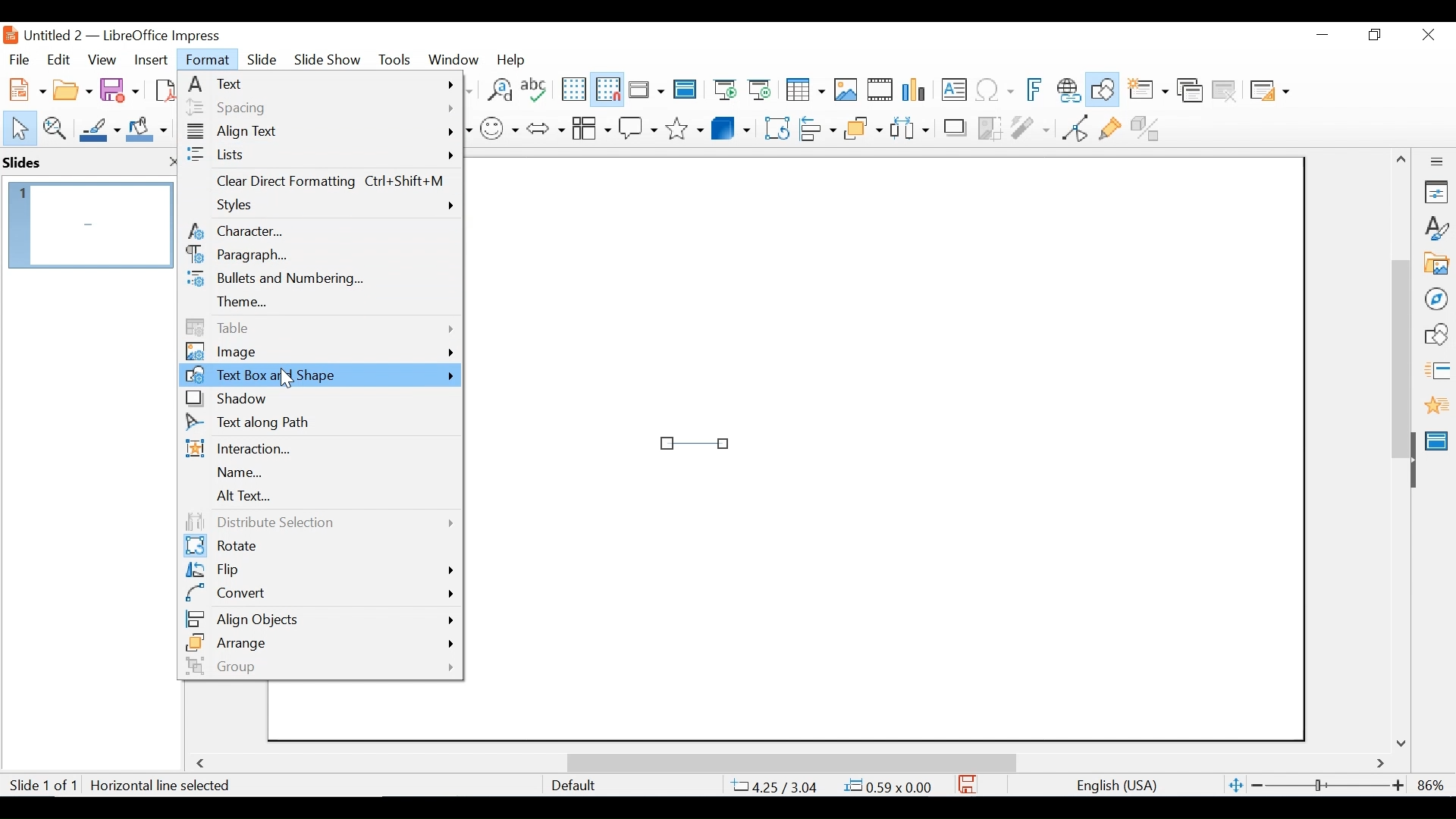 This screenshot has height=819, width=1456. I want to click on Start from First Slide, so click(723, 91).